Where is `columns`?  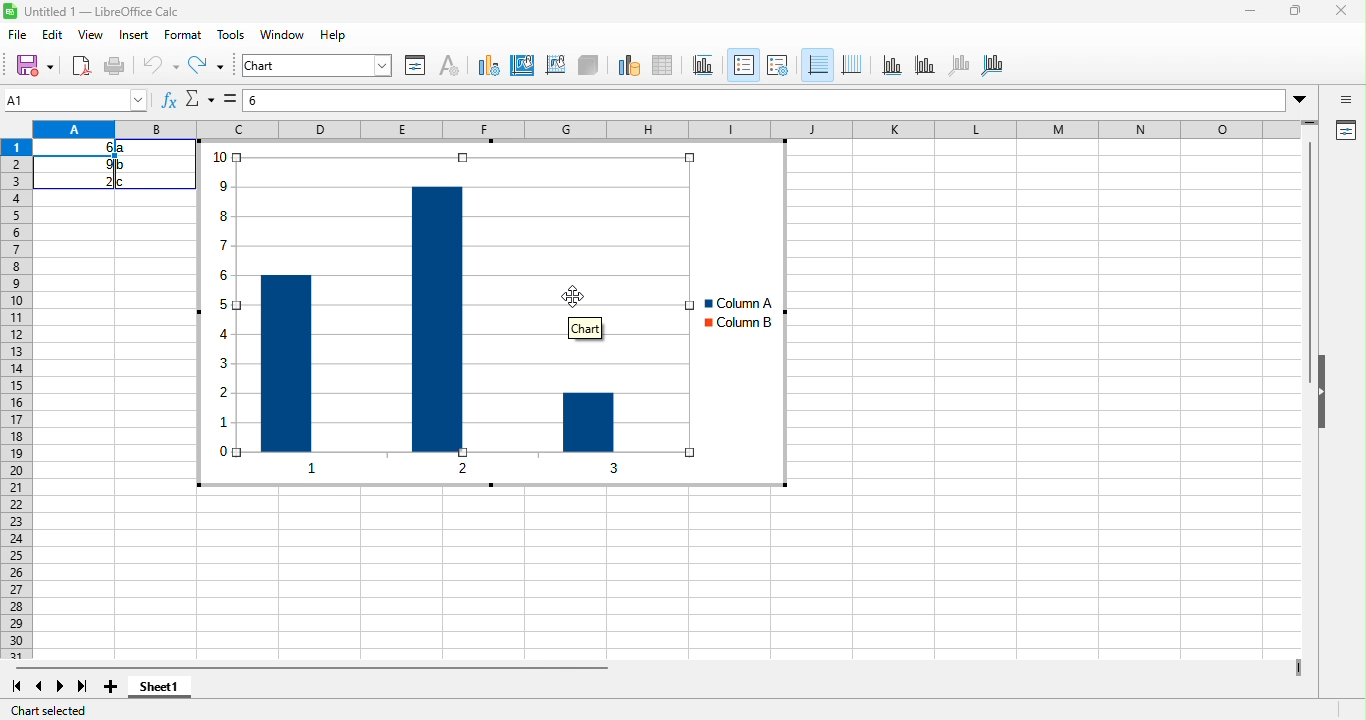
columns is located at coordinates (467, 301).